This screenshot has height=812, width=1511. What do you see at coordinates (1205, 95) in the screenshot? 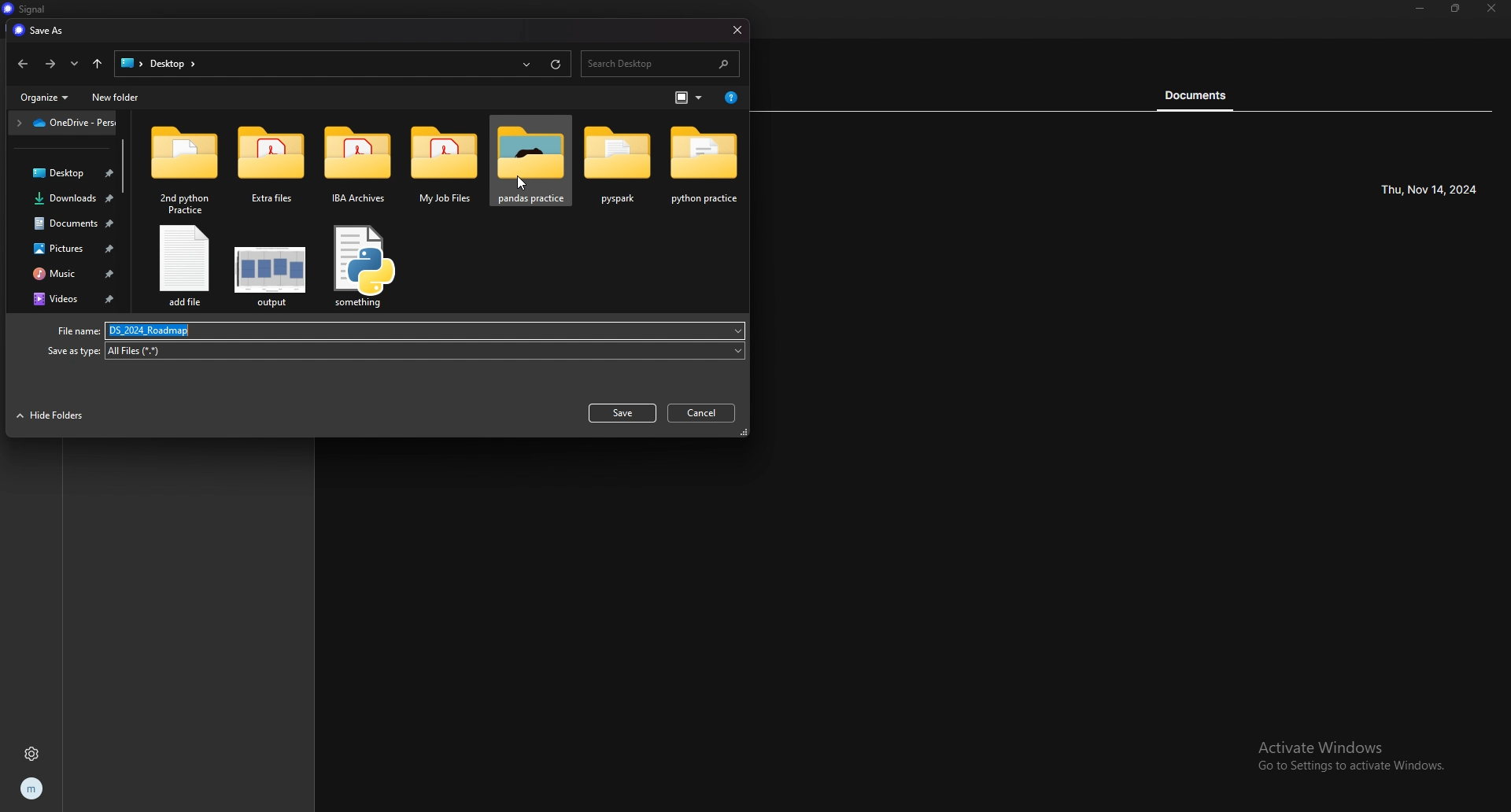
I see `document` at bounding box center [1205, 95].